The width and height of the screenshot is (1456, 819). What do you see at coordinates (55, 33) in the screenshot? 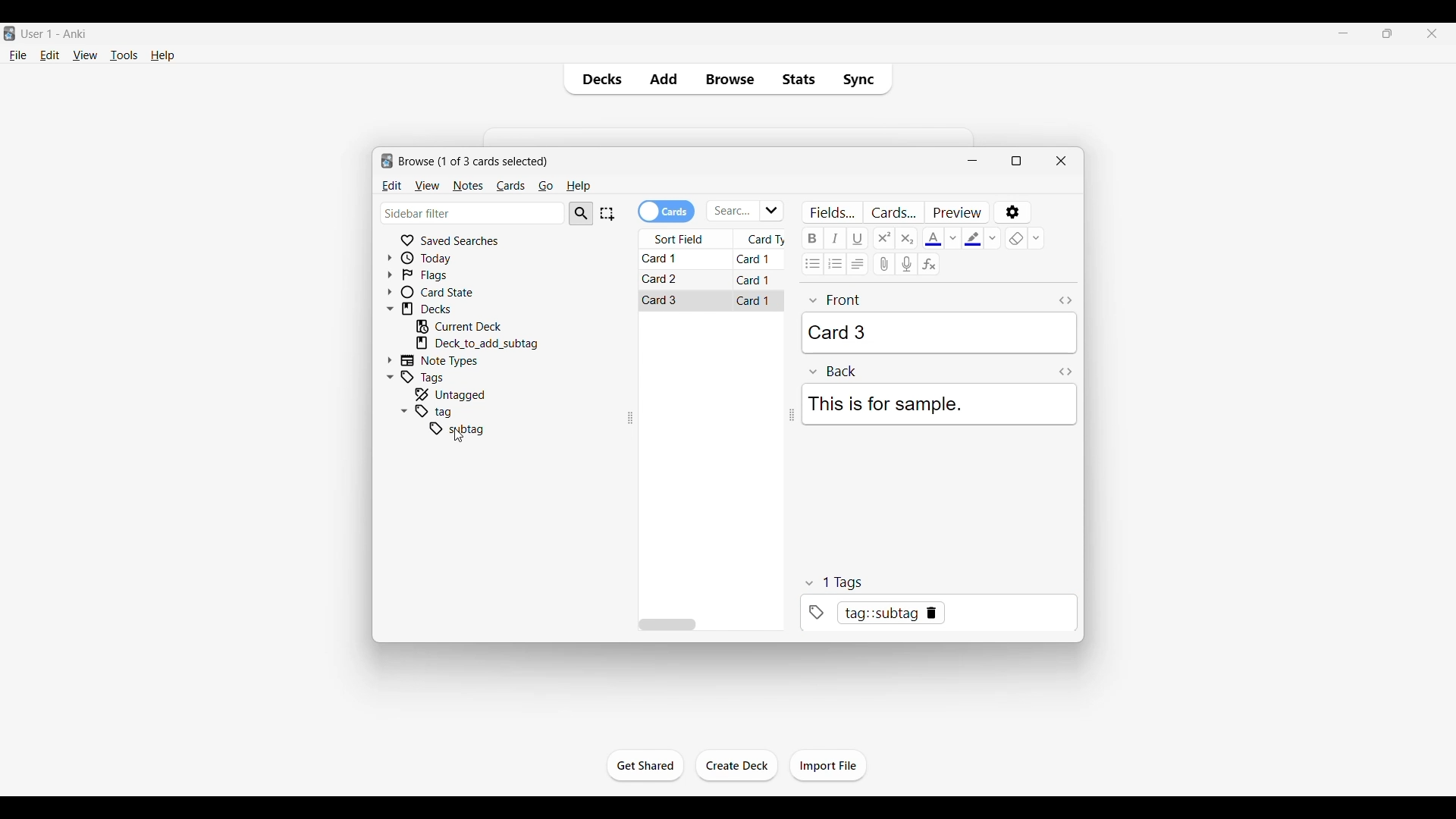
I see `User 1 - Anki` at bounding box center [55, 33].